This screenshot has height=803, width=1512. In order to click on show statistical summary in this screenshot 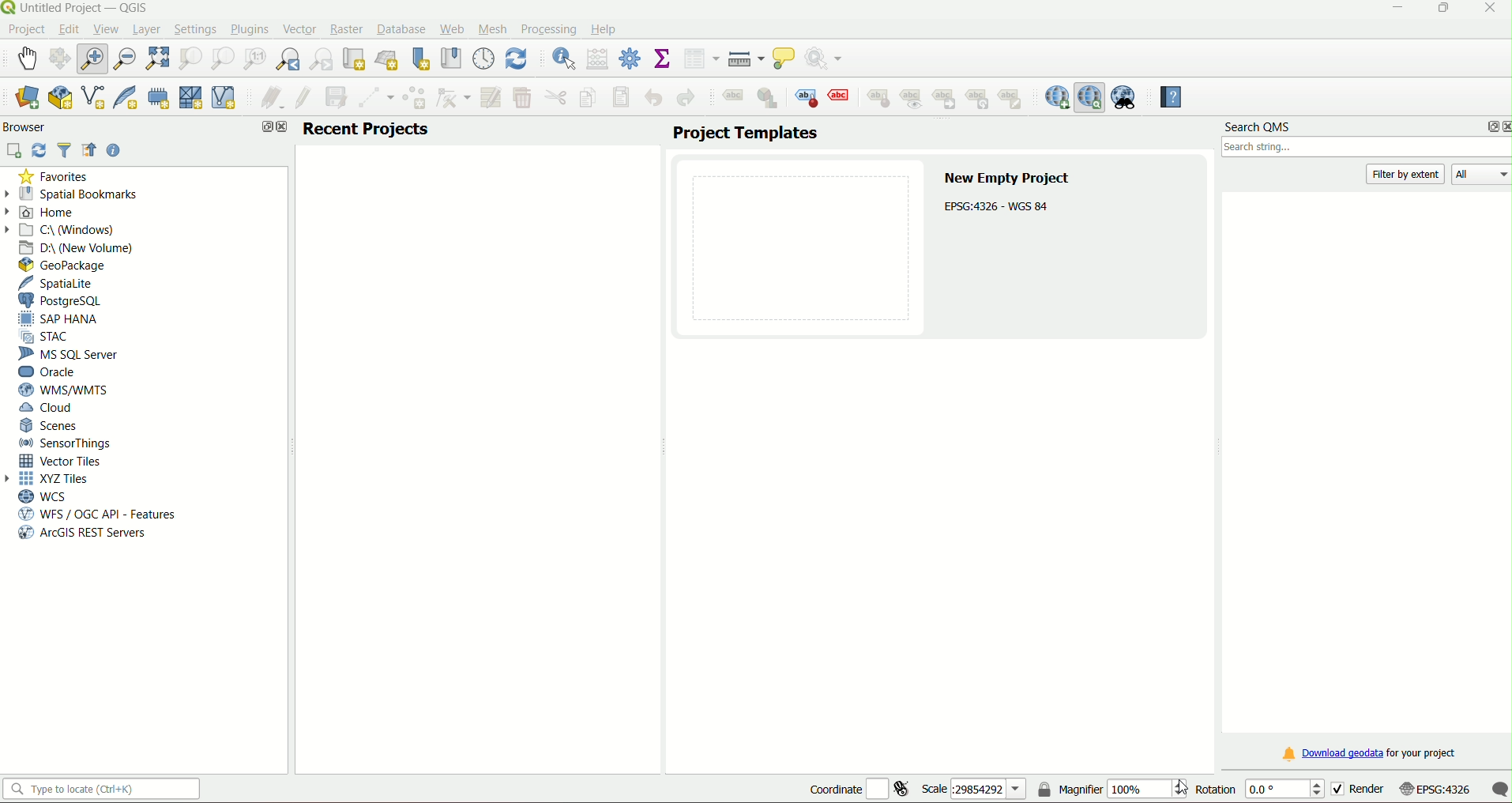, I will do `click(663, 59)`.